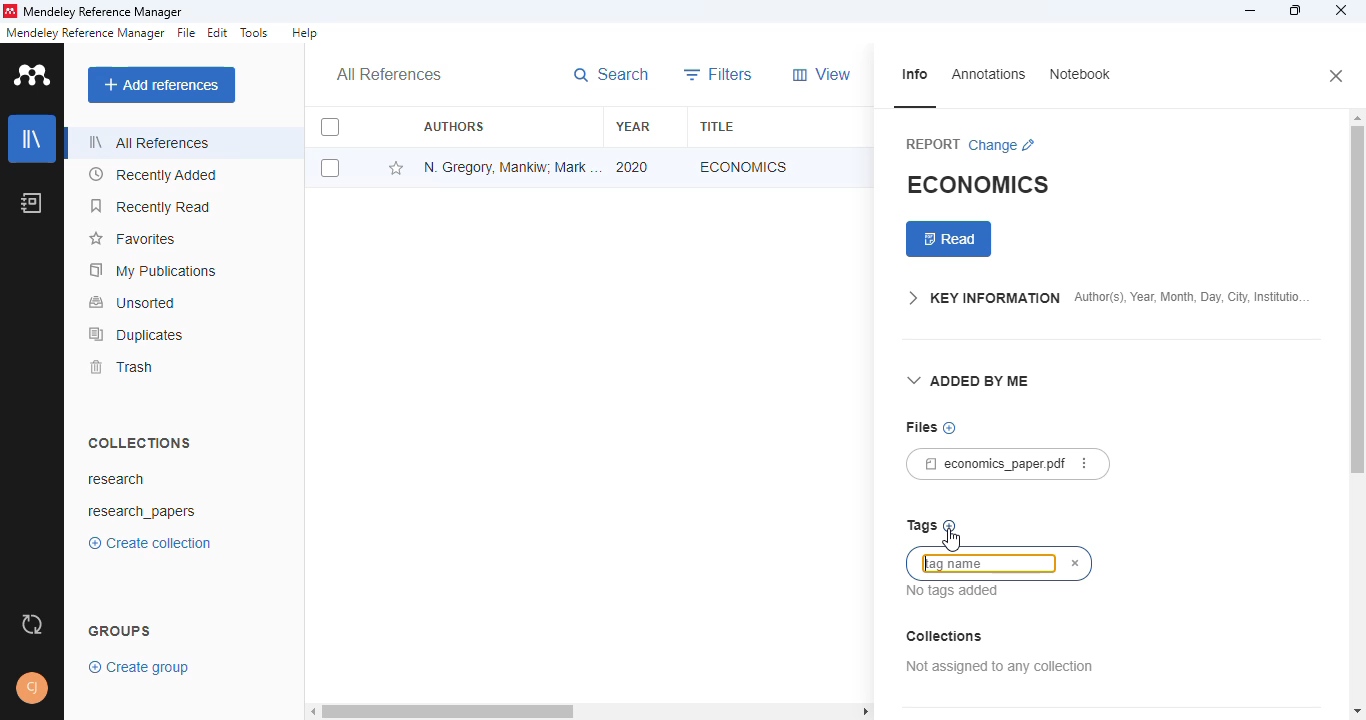 The image size is (1366, 720). I want to click on research, so click(115, 478).